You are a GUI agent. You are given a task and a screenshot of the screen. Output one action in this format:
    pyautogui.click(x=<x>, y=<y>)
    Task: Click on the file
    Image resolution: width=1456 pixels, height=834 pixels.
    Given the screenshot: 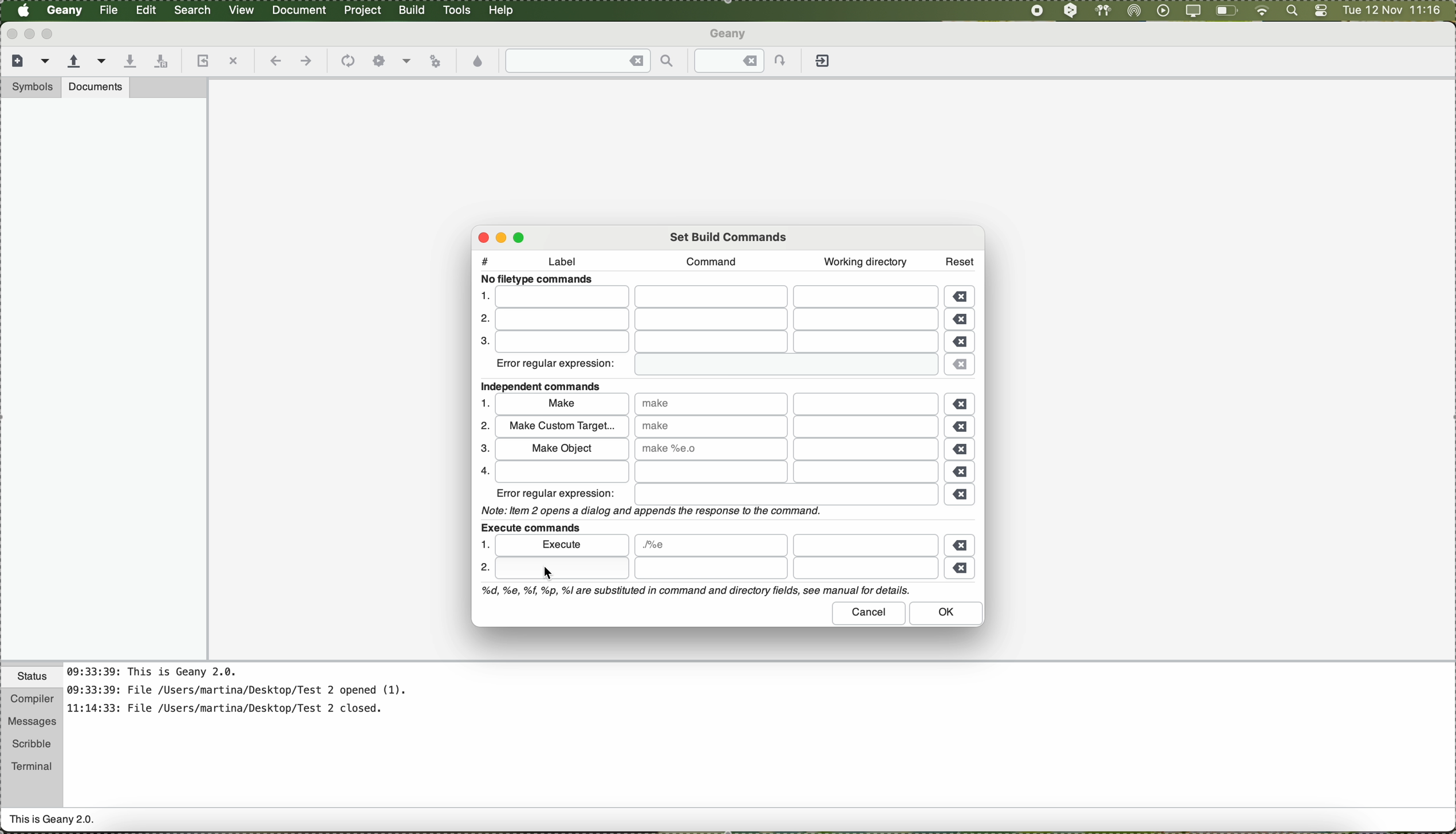 What is the action you would take?
    pyautogui.click(x=717, y=297)
    